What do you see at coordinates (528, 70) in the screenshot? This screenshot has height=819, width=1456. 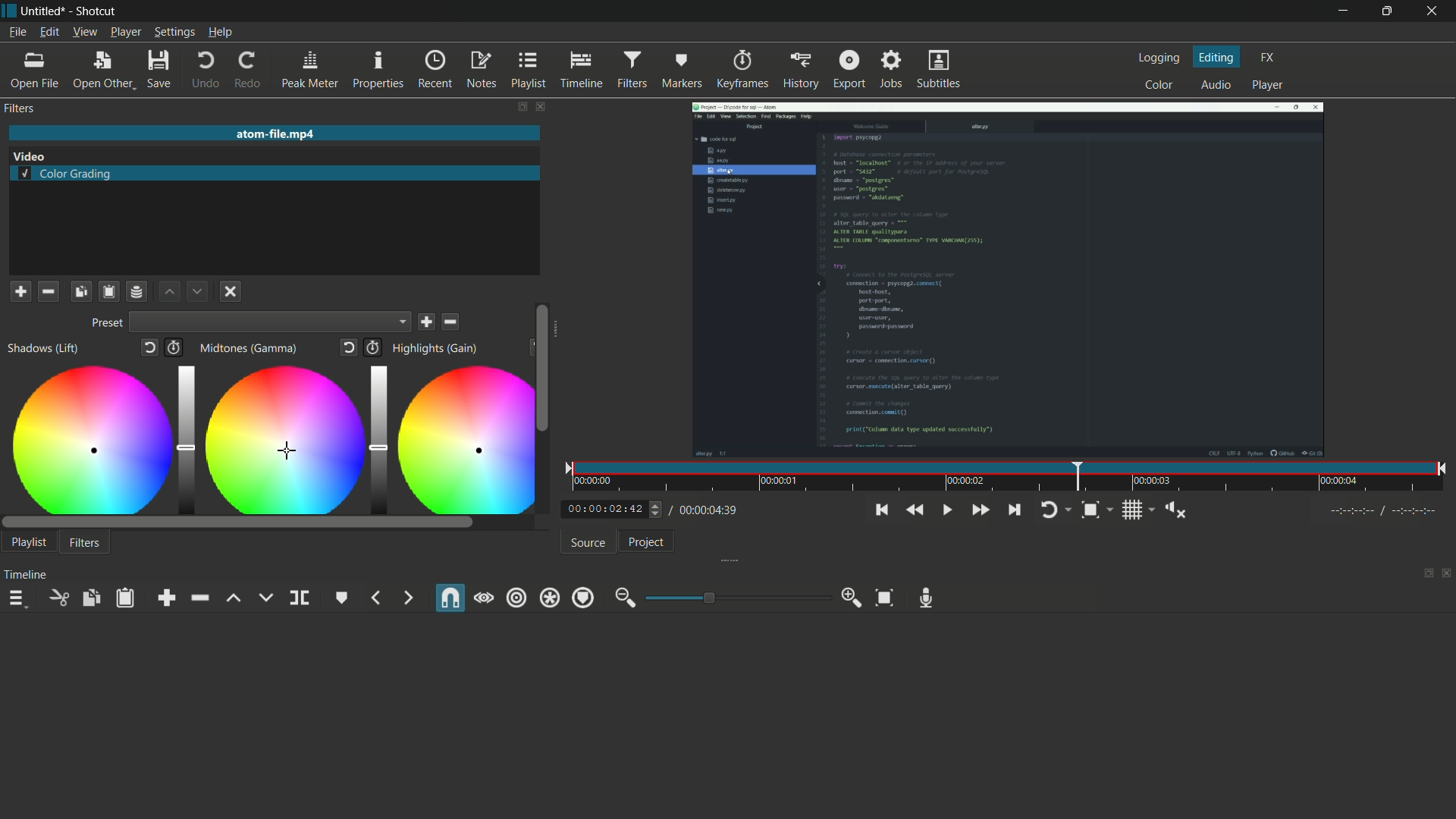 I see `playlist` at bounding box center [528, 70].